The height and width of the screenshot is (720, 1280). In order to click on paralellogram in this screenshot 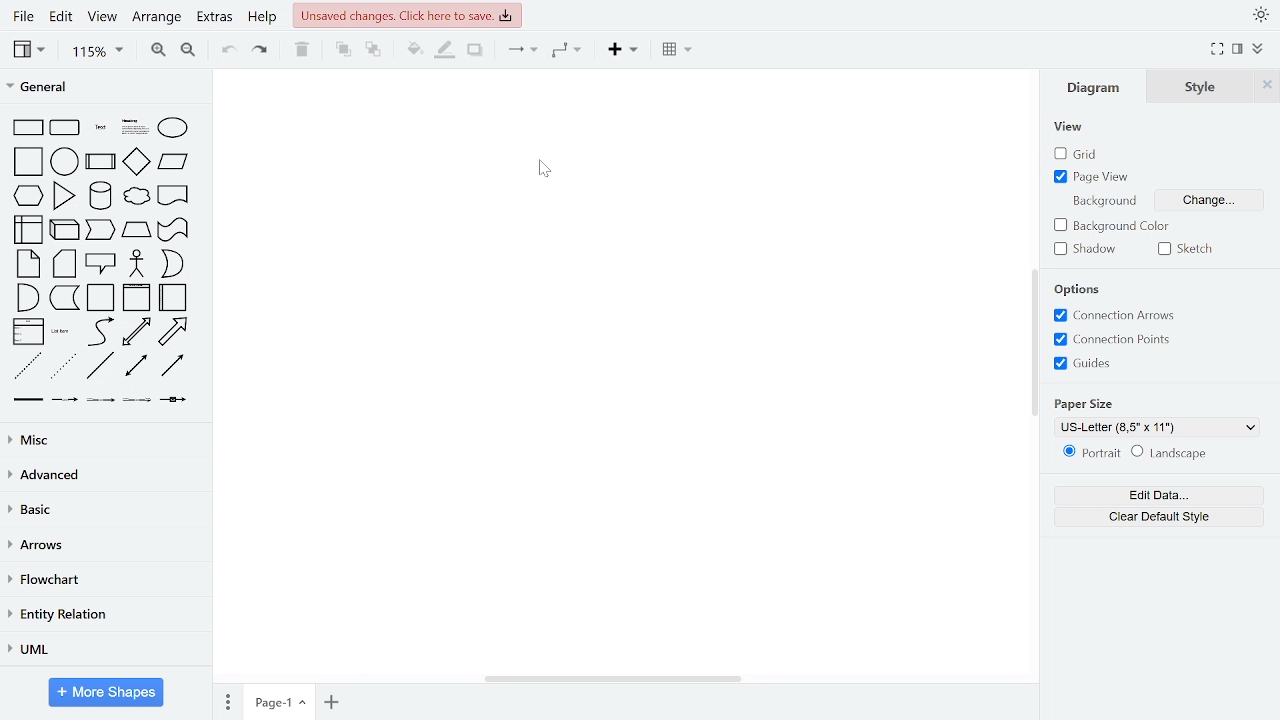, I will do `click(172, 162)`.